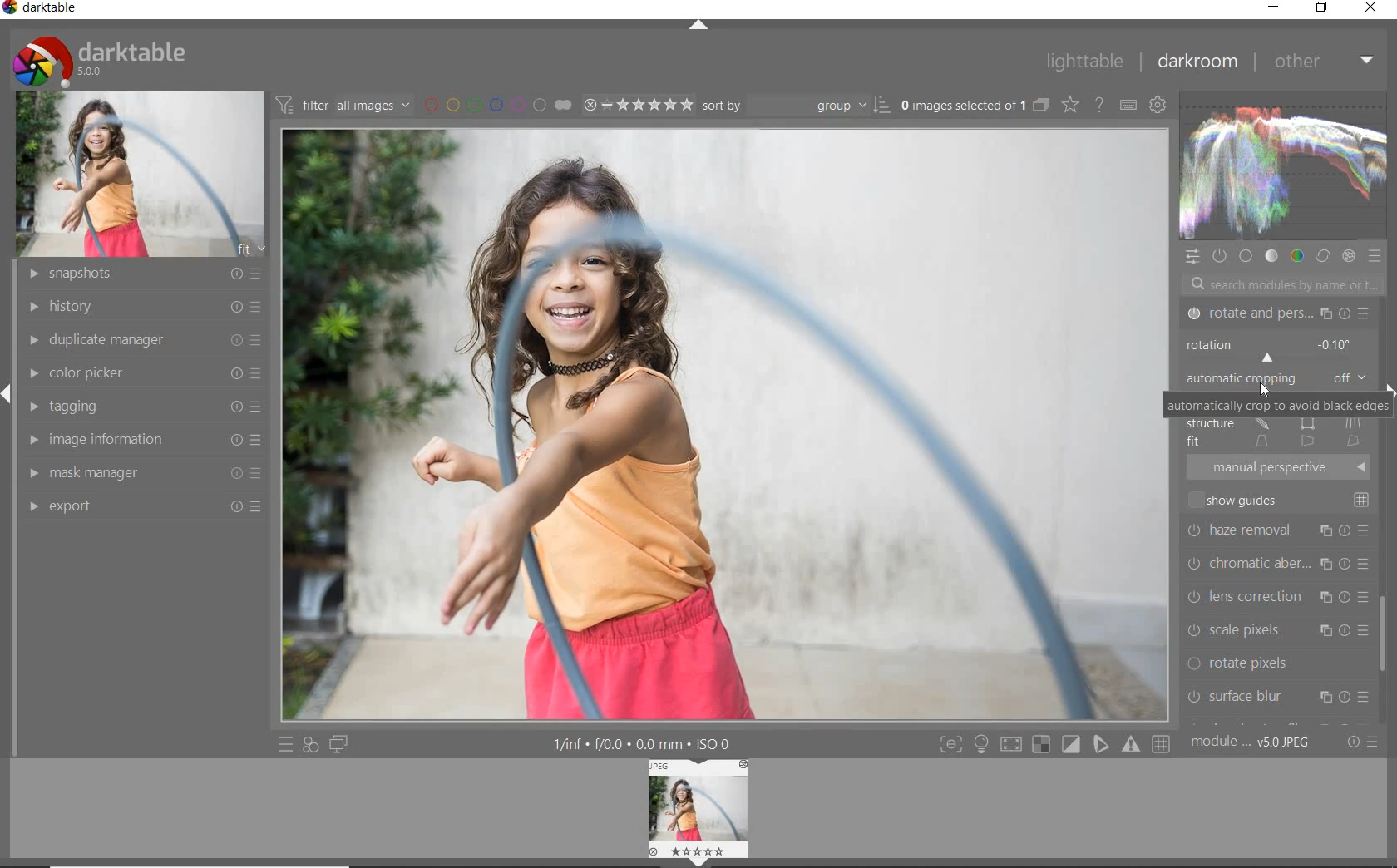  What do you see at coordinates (1279, 530) in the screenshot?
I see `haze removal` at bounding box center [1279, 530].